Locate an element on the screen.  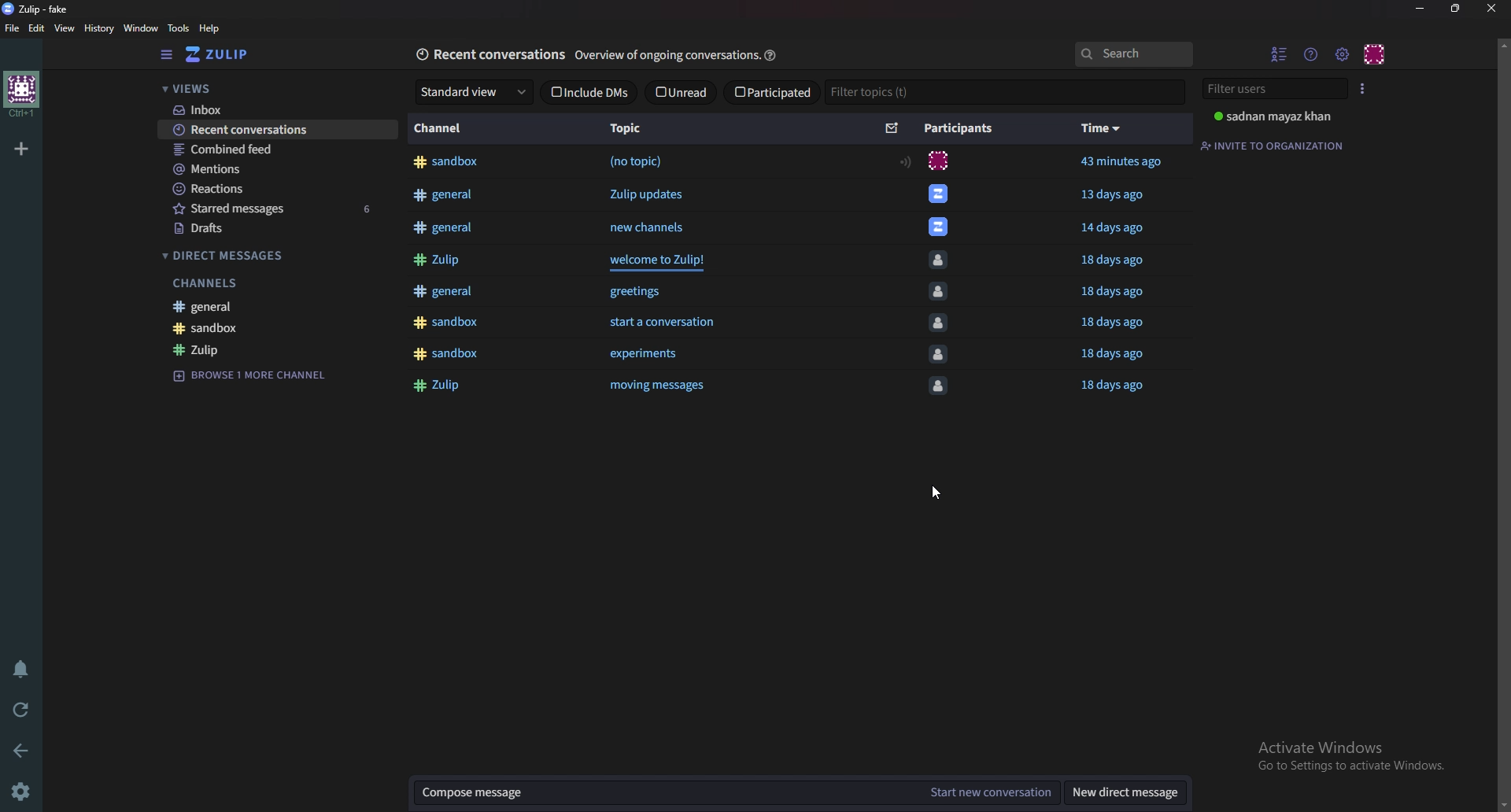
back is located at coordinates (17, 749).